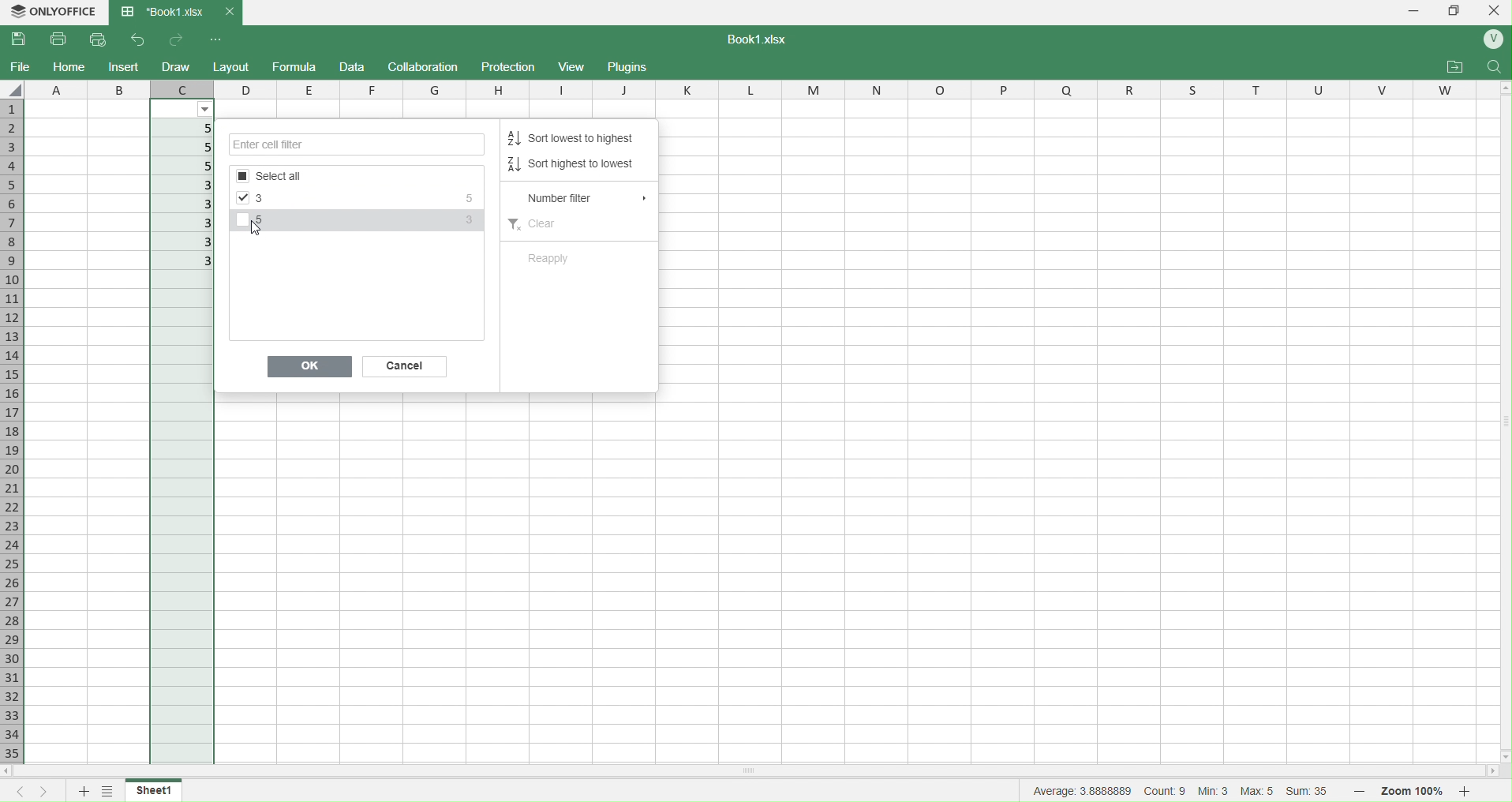 The image size is (1512, 802). I want to click on new sheet, so click(85, 791).